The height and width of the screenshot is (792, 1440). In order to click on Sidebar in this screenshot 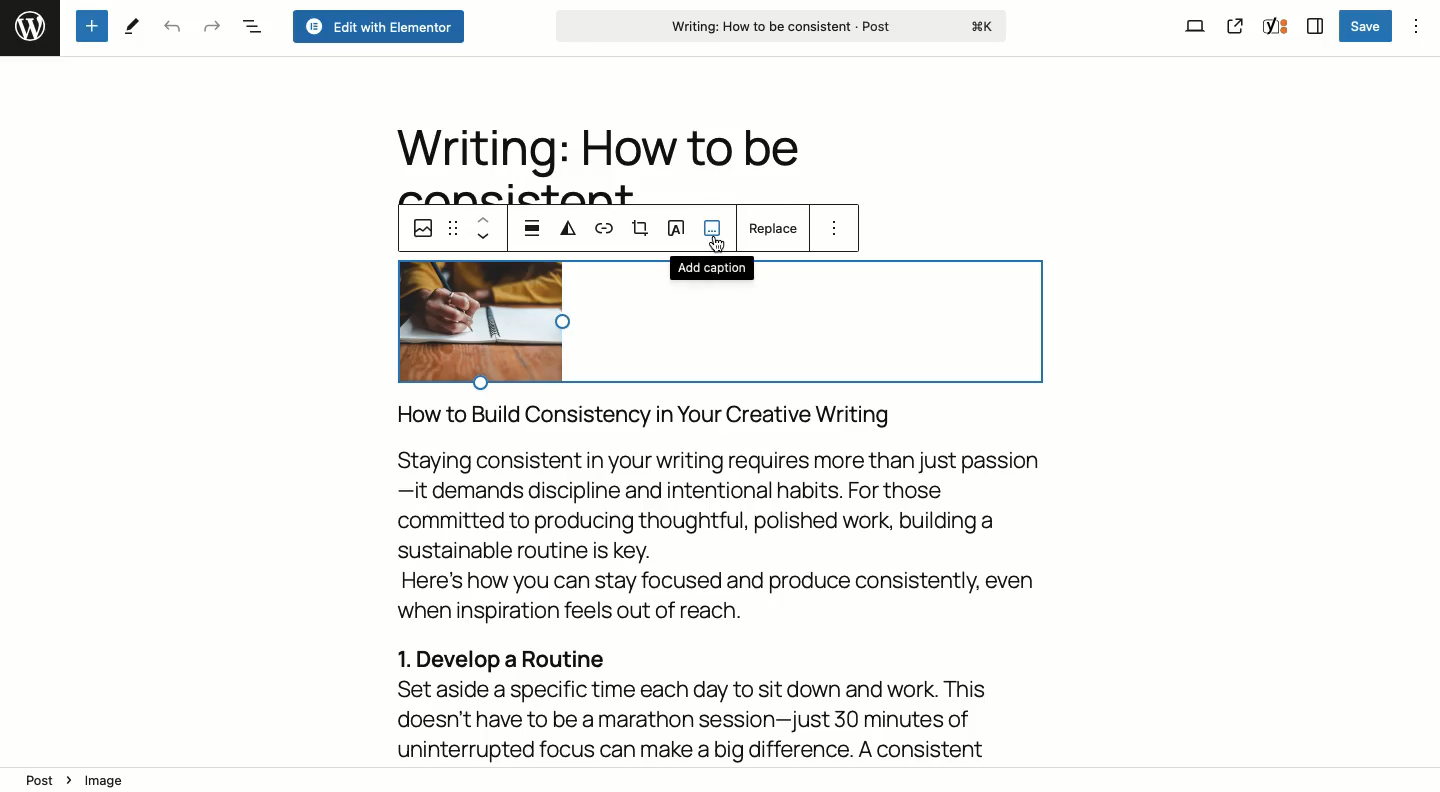, I will do `click(1312, 27)`.